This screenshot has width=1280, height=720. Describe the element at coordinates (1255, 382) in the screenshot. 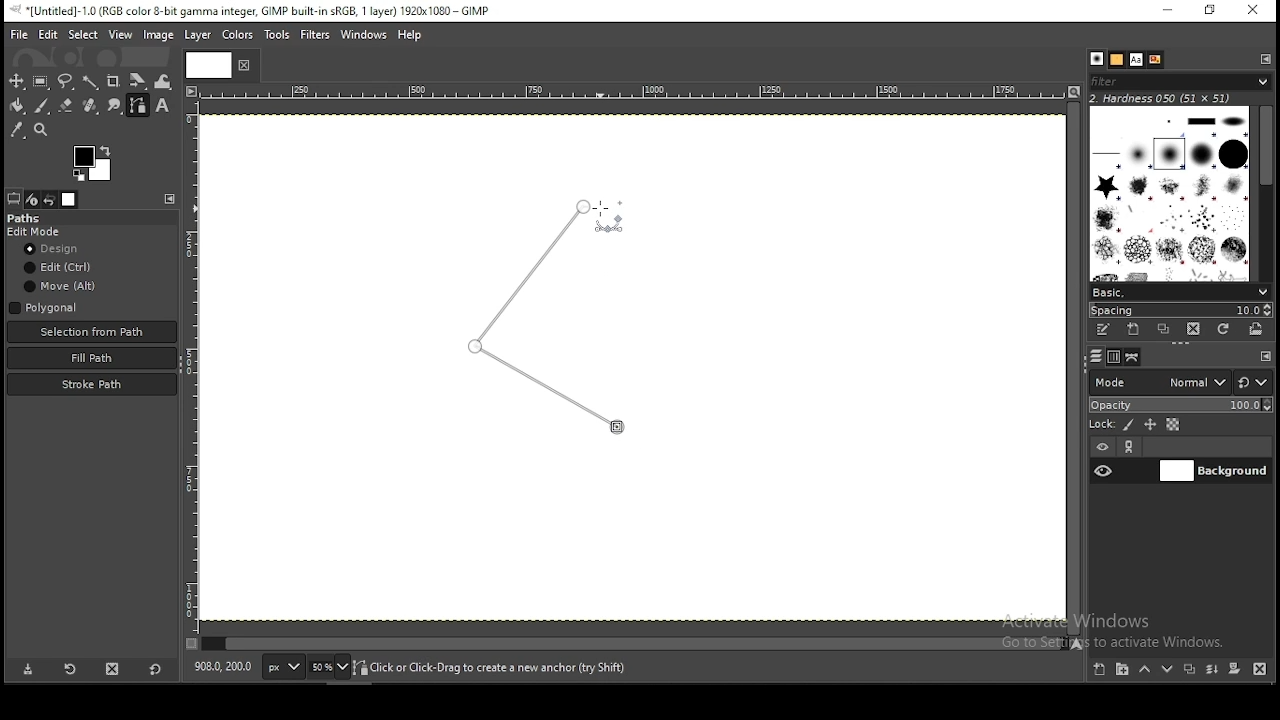

I see `switch to other modes` at that location.